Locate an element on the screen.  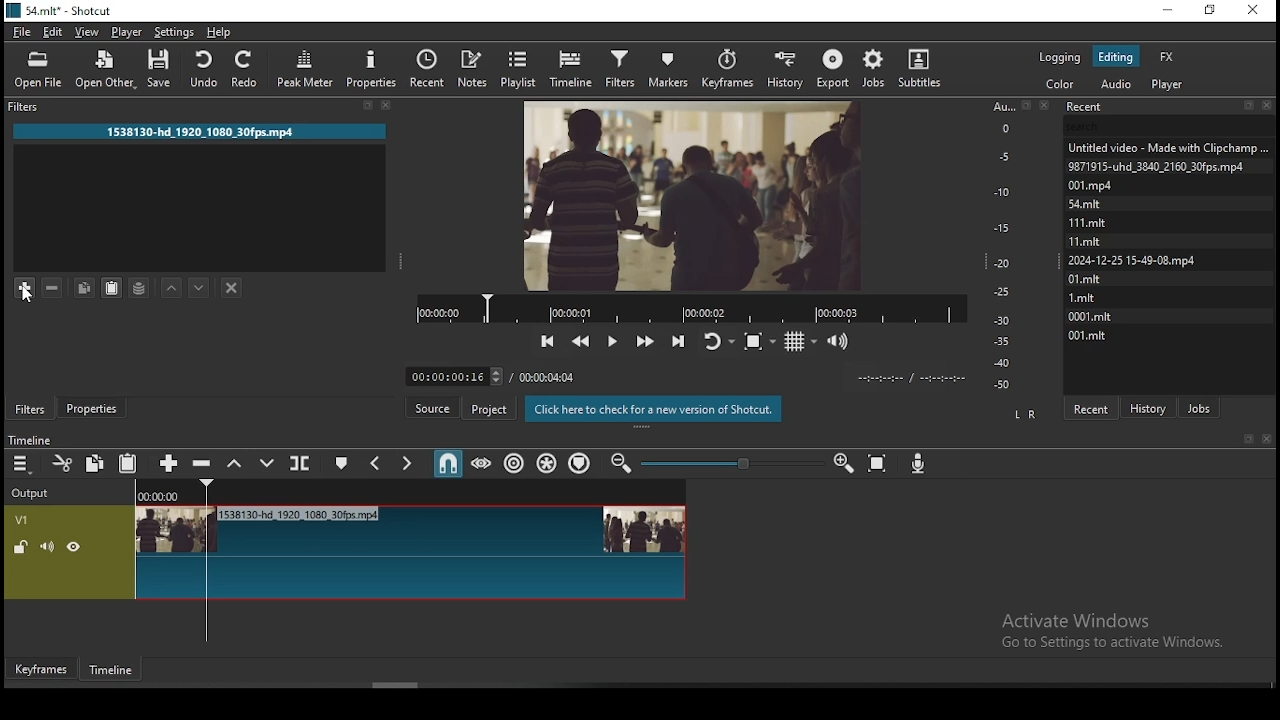
bookmark is located at coordinates (1247, 439).